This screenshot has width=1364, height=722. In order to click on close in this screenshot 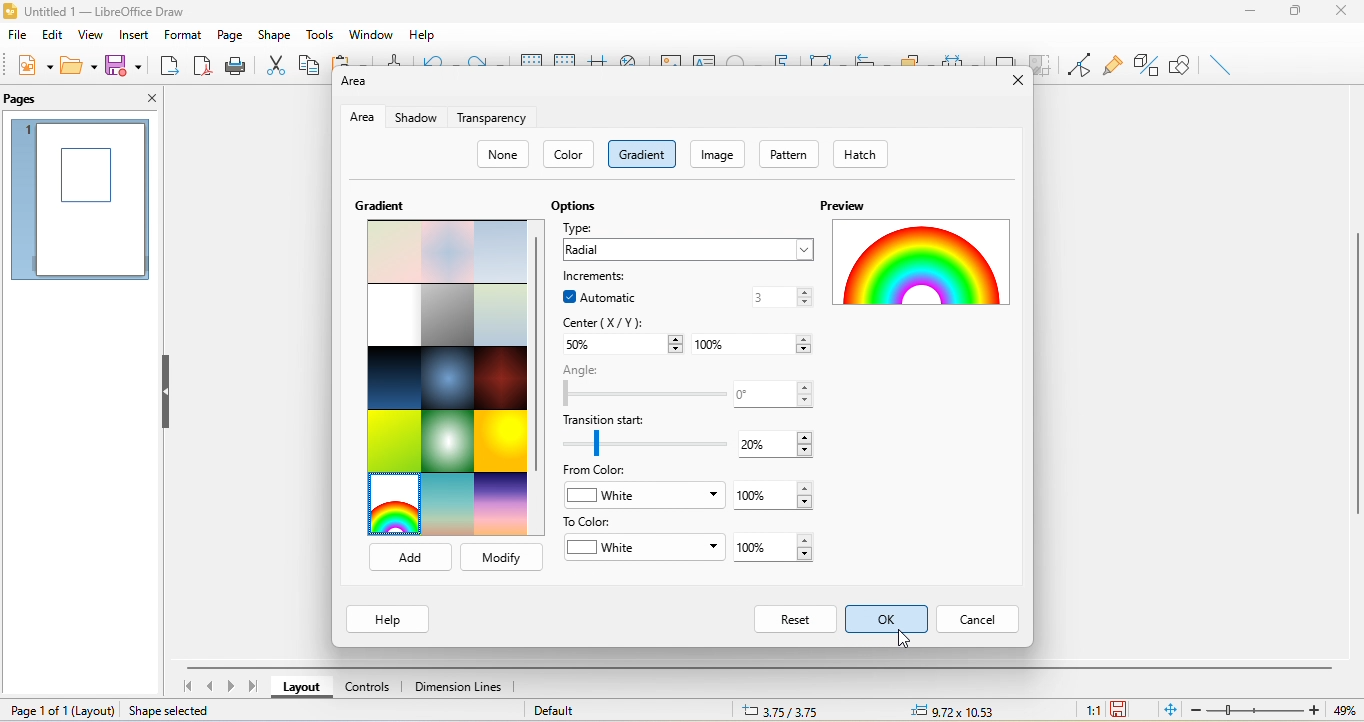, I will do `click(146, 100)`.